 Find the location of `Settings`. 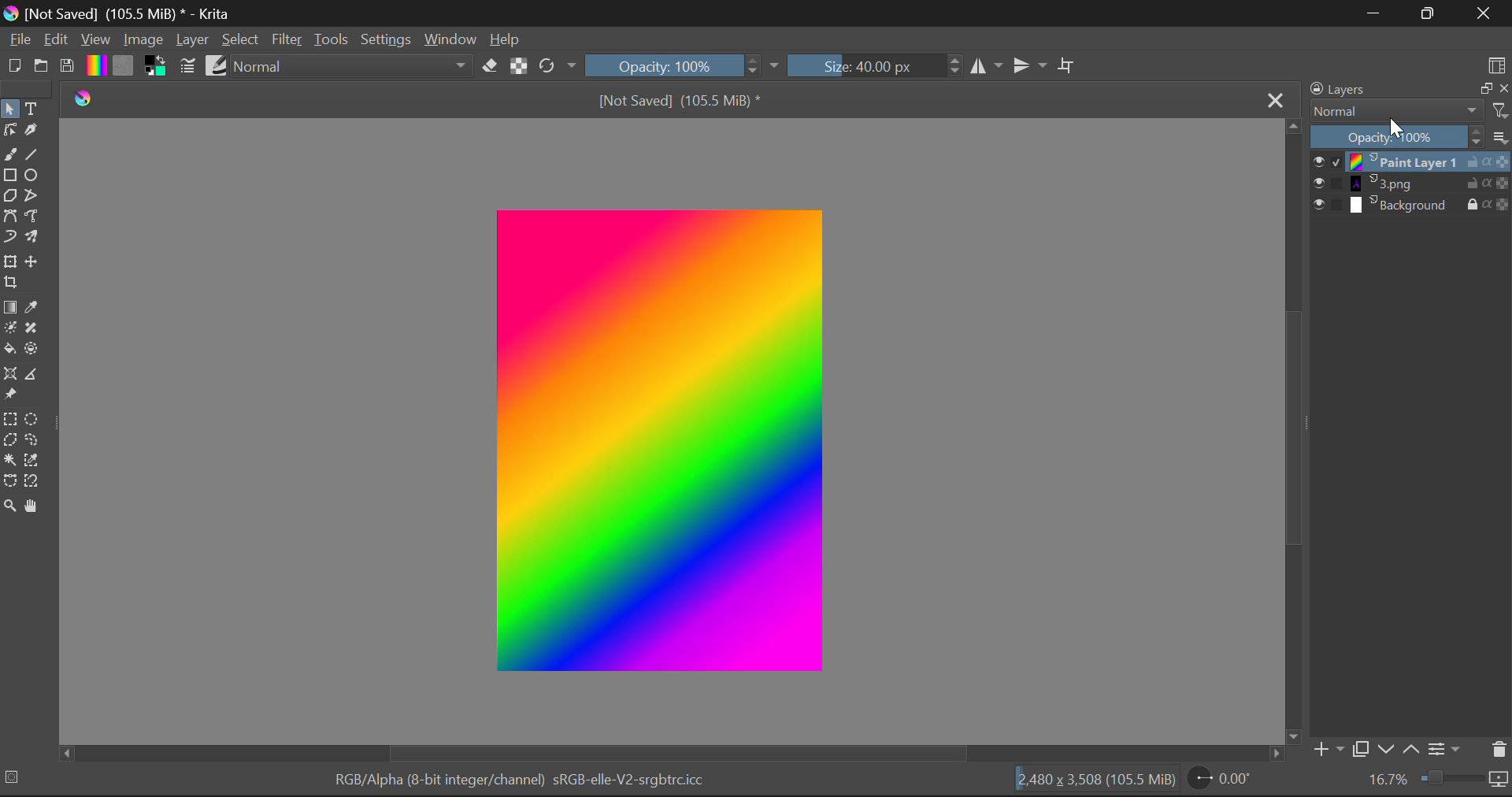

Settings is located at coordinates (388, 40).